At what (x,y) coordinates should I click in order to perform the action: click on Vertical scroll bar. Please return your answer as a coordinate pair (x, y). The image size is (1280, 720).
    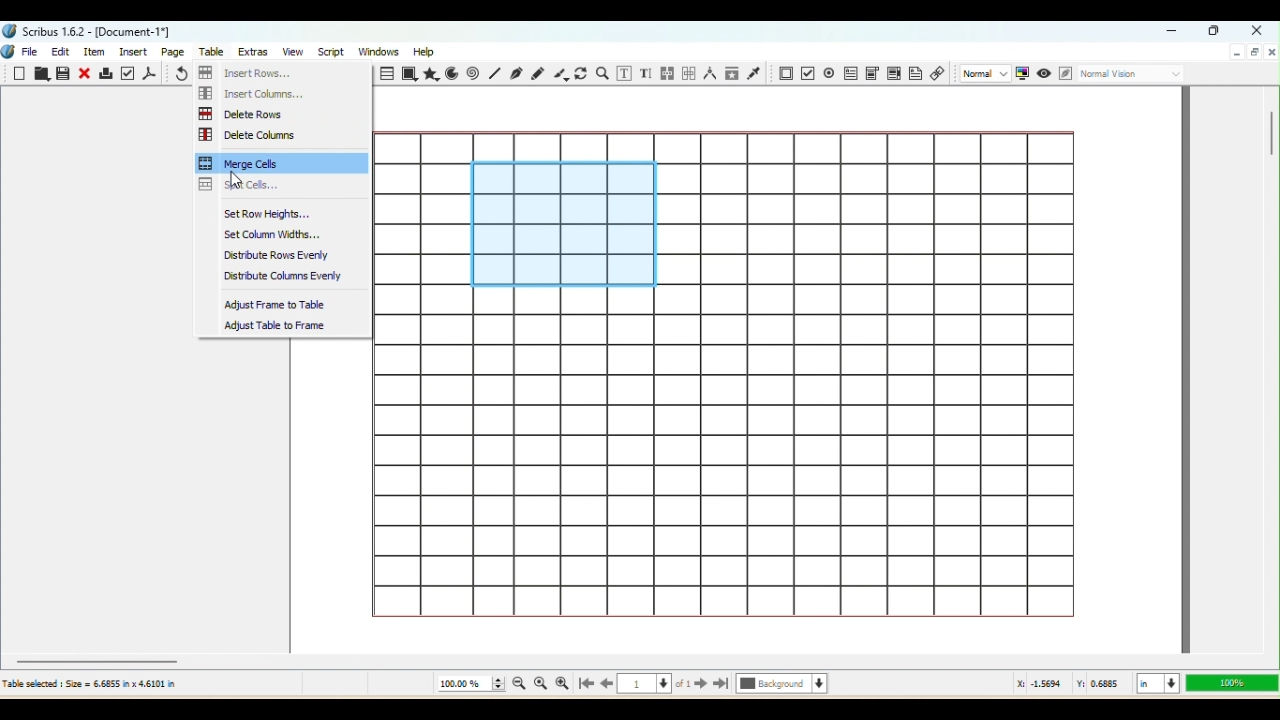
    Looking at the image, I should click on (1271, 368).